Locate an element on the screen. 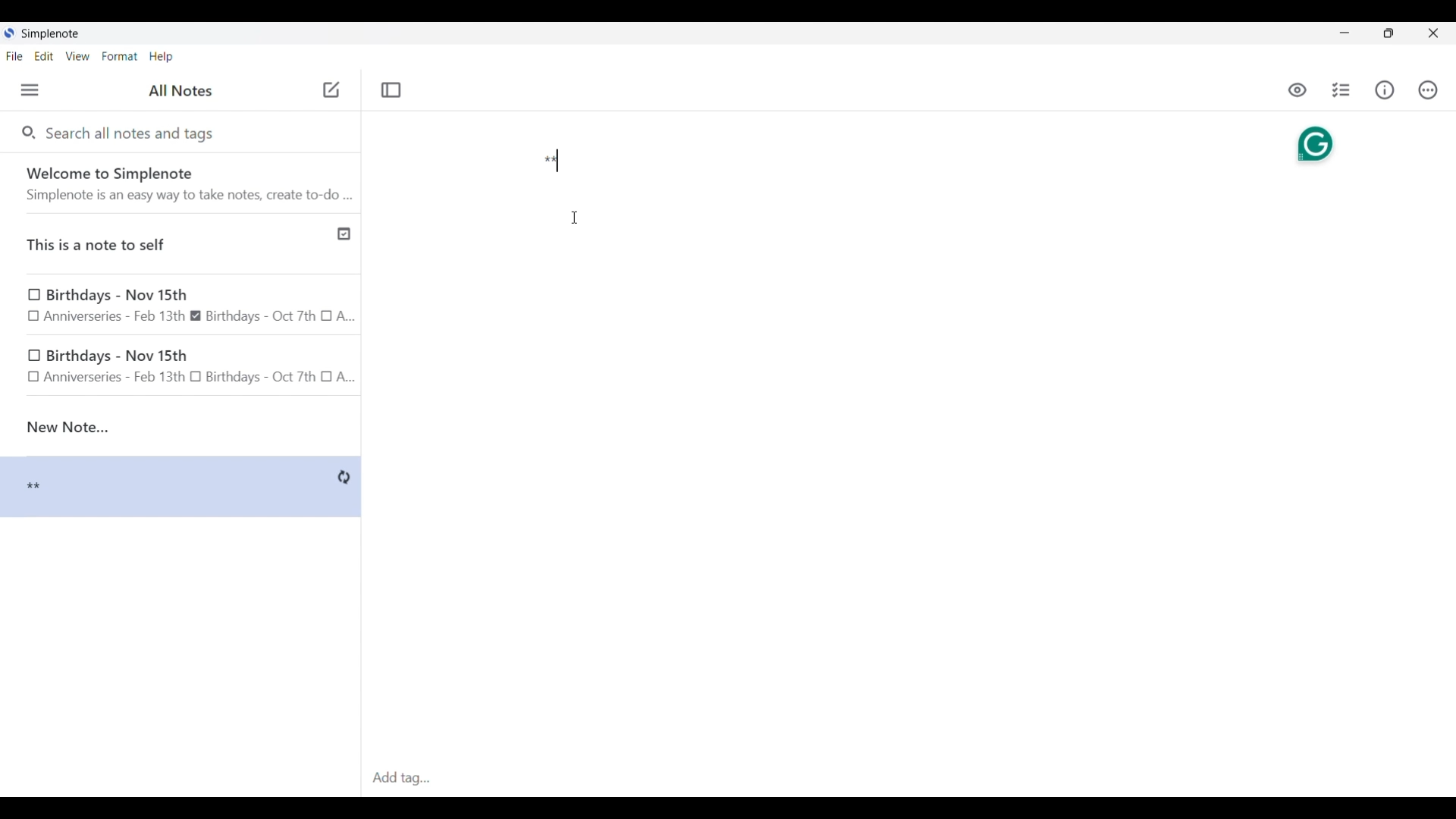 This screenshot has width=1456, height=819. Note preview changed is located at coordinates (167, 487).